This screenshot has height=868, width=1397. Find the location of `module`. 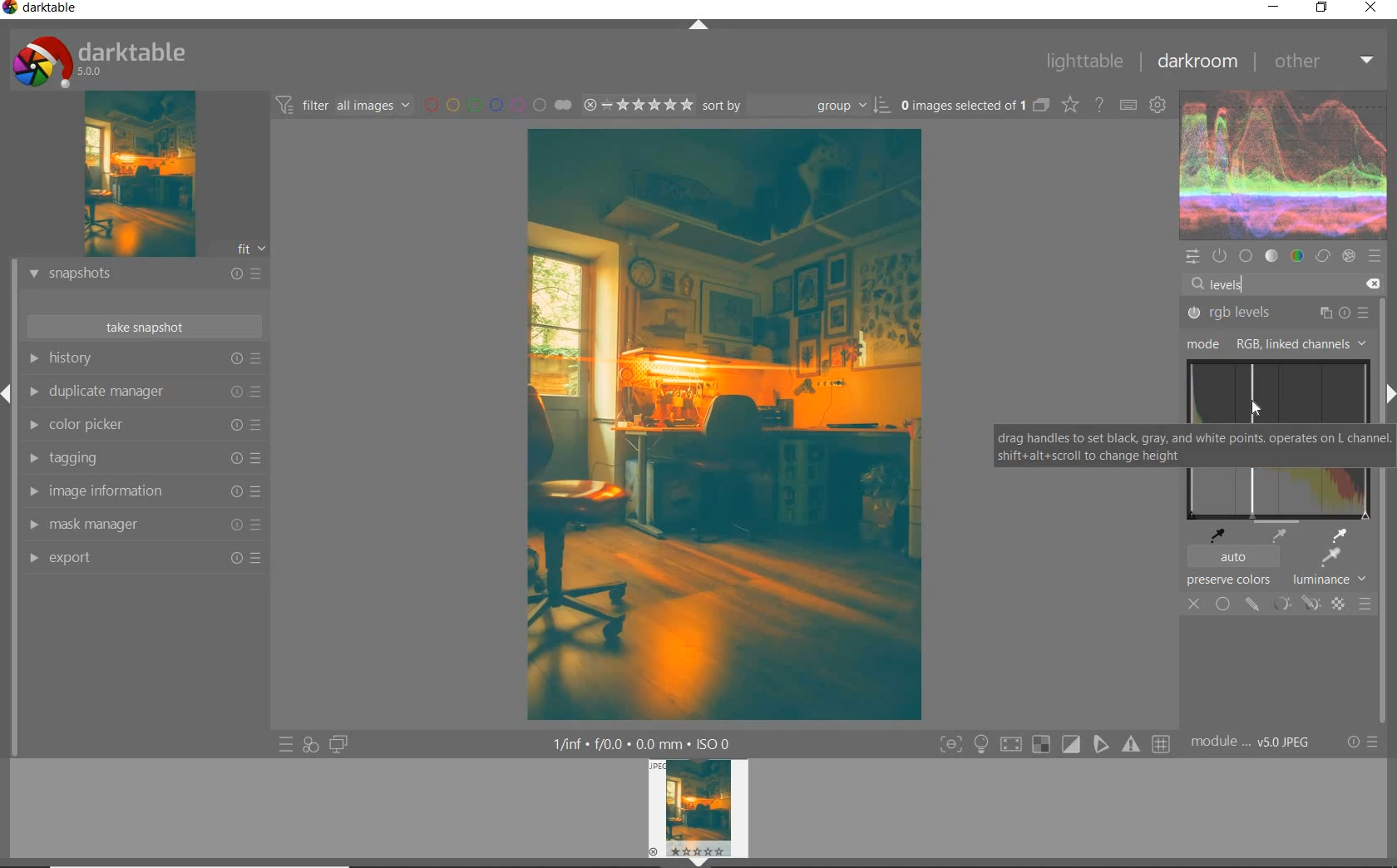

module is located at coordinates (1250, 740).